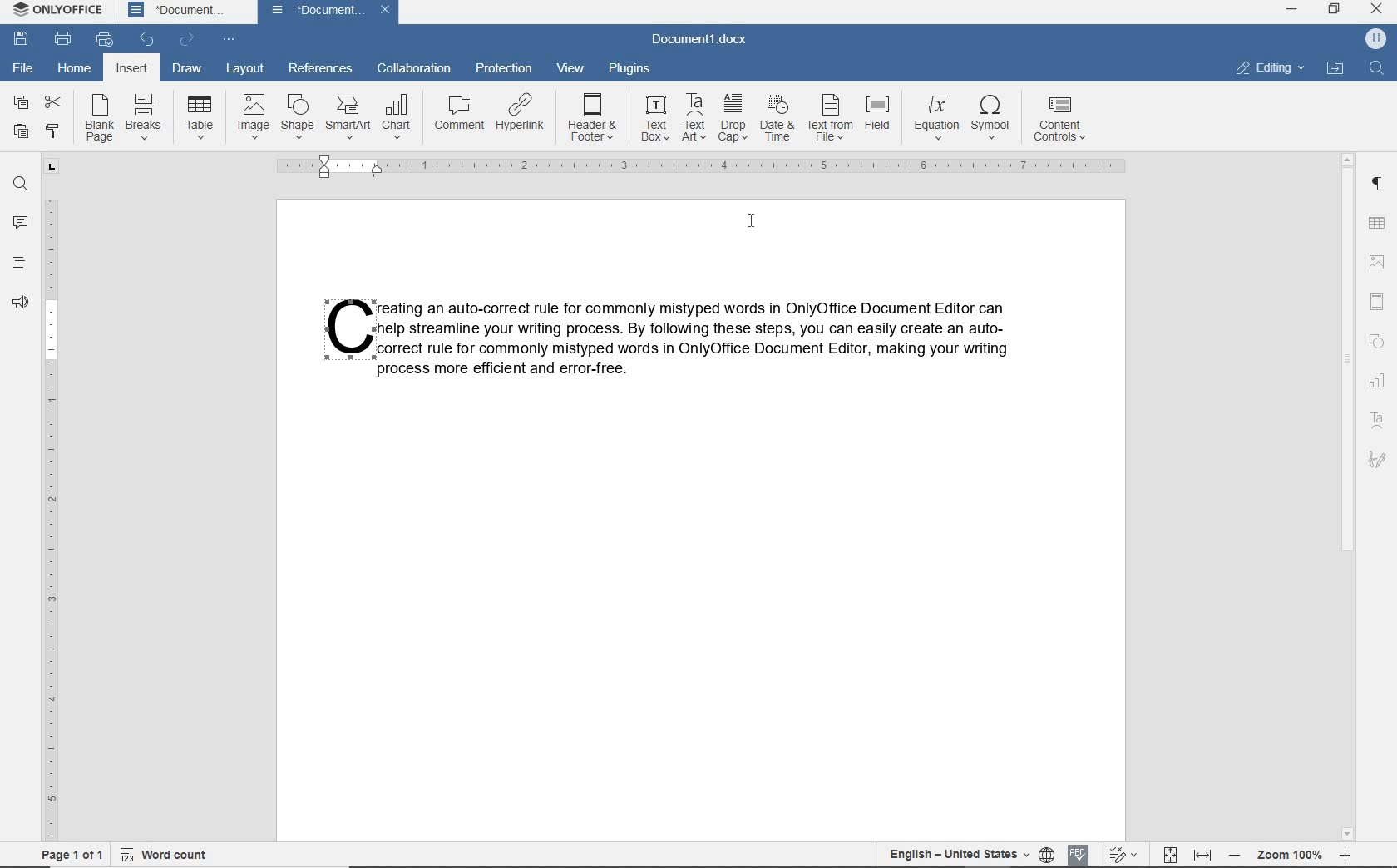  What do you see at coordinates (133, 67) in the screenshot?
I see `insert` at bounding box center [133, 67].